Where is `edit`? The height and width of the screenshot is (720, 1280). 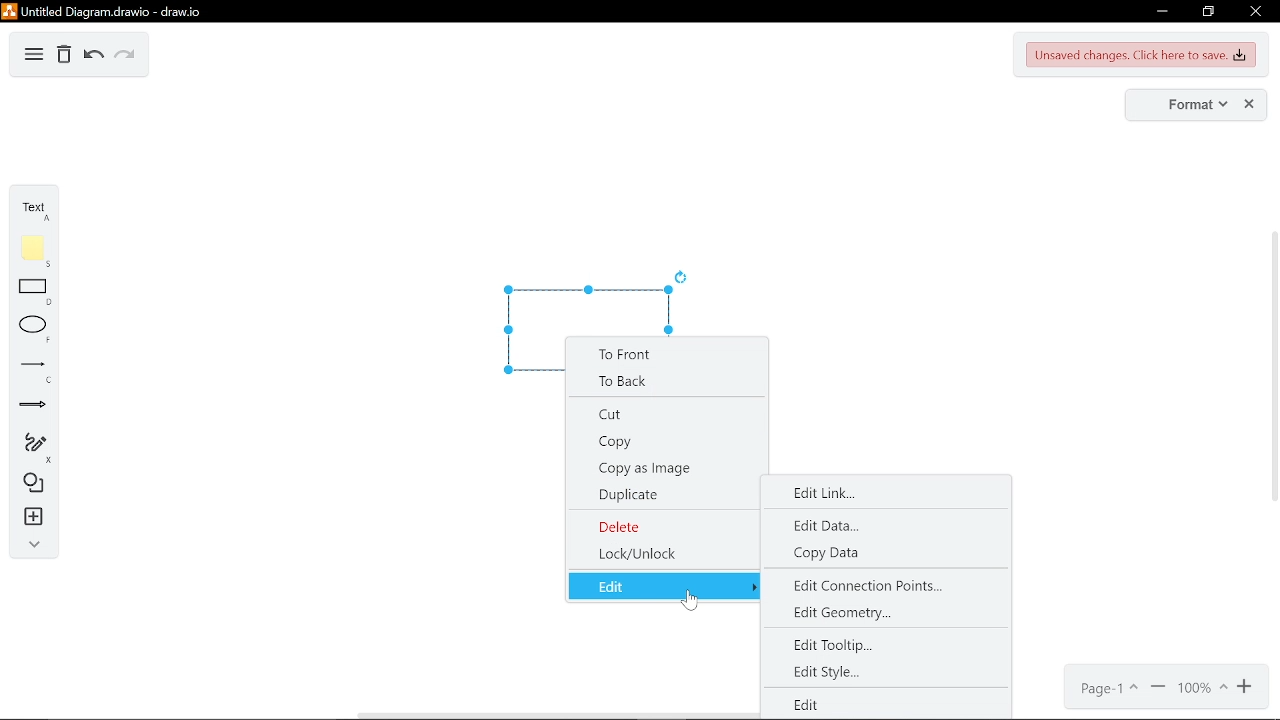 edit is located at coordinates (667, 586).